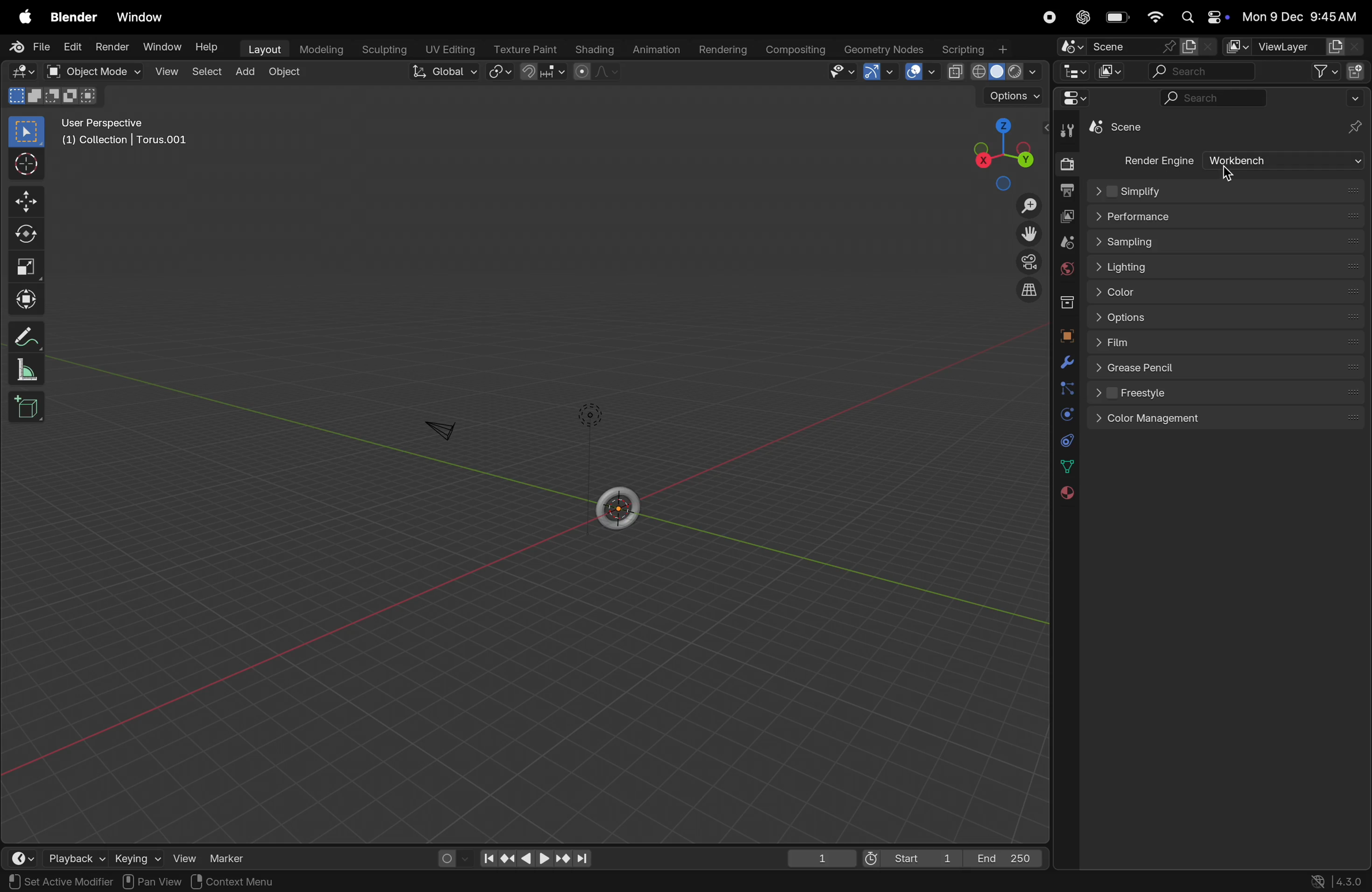 This screenshot has height=892, width=1372. I want to click on modelling, so click(321, 50).